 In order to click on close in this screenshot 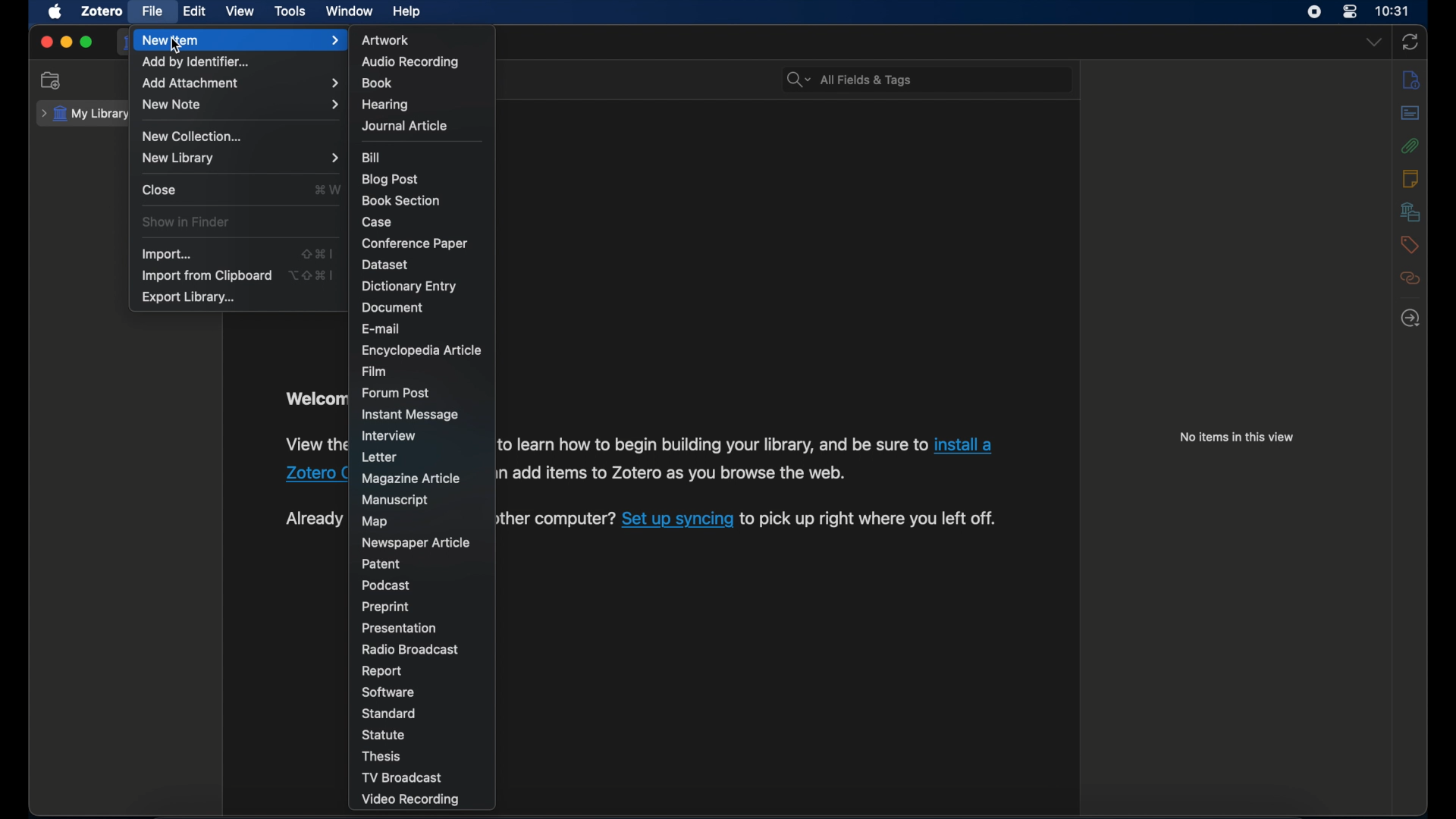, I will do `click(45, 42)`.